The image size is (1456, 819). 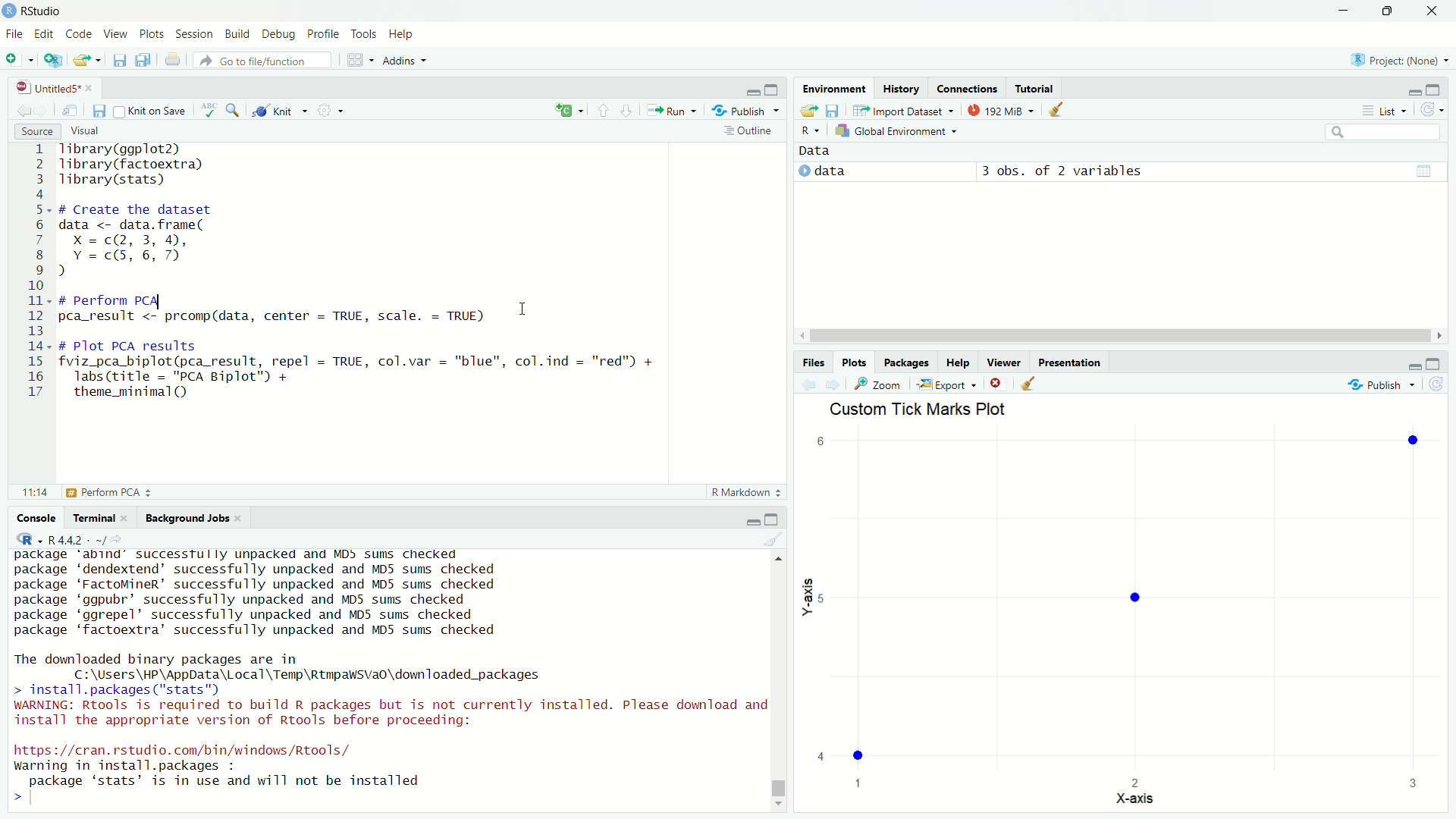 What do you see at coordinates (834, 87) in the screenshot?
I see `environment` at bounding box center [834, 87].